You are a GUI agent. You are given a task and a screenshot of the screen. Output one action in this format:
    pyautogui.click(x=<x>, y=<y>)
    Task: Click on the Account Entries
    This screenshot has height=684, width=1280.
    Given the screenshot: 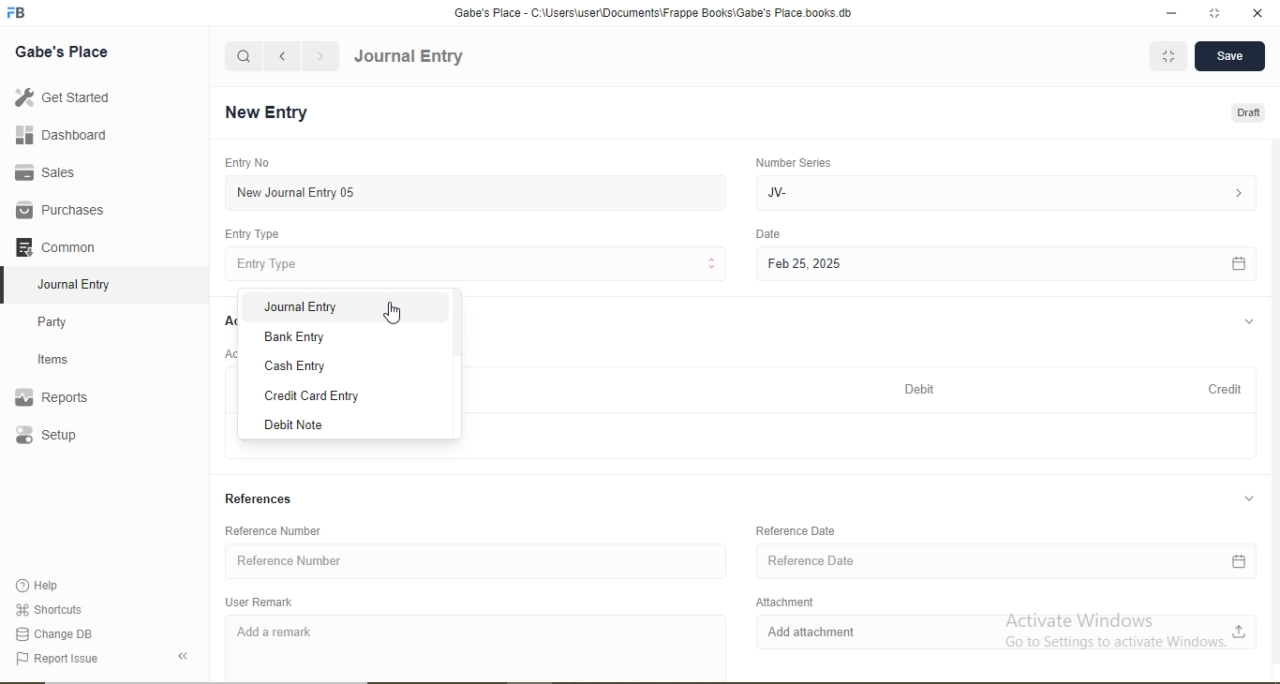 What is the action you would take?
    pyautogui.click(x=225, y=353)
    